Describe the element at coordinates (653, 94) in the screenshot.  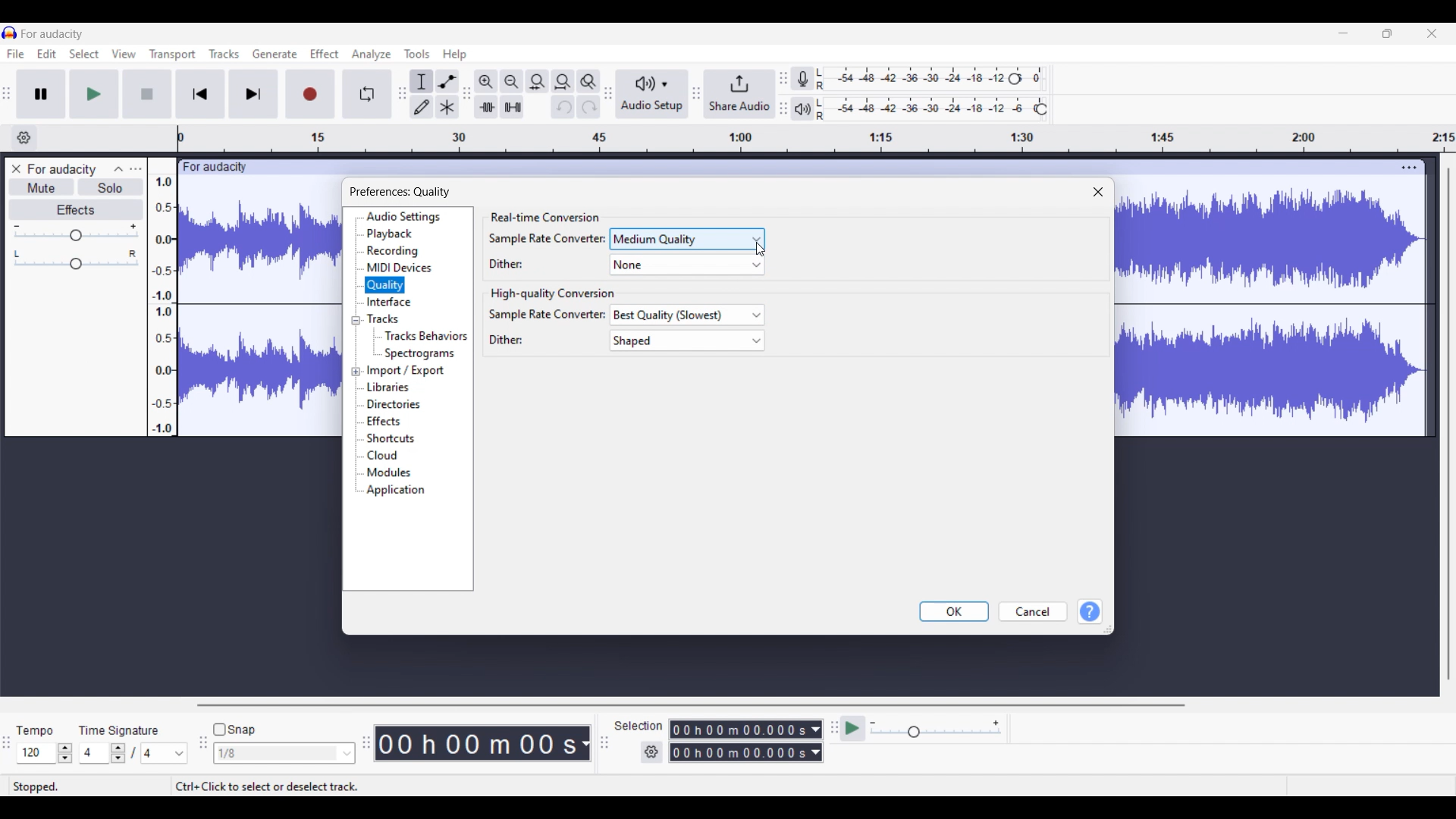
I see `Audio setup` at that location.